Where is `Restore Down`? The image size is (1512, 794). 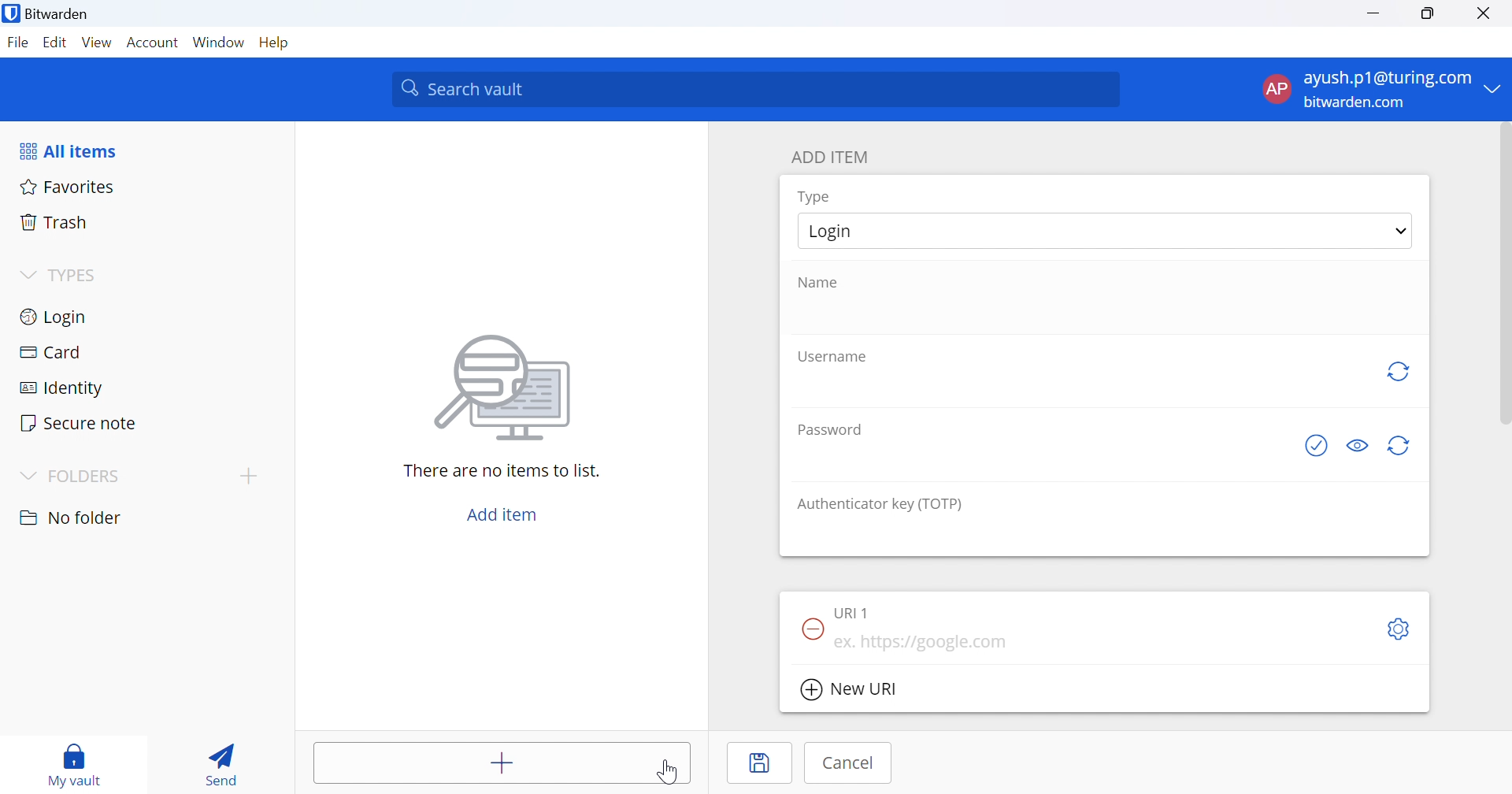
Restore Down is located at coordinates (1429, 14).